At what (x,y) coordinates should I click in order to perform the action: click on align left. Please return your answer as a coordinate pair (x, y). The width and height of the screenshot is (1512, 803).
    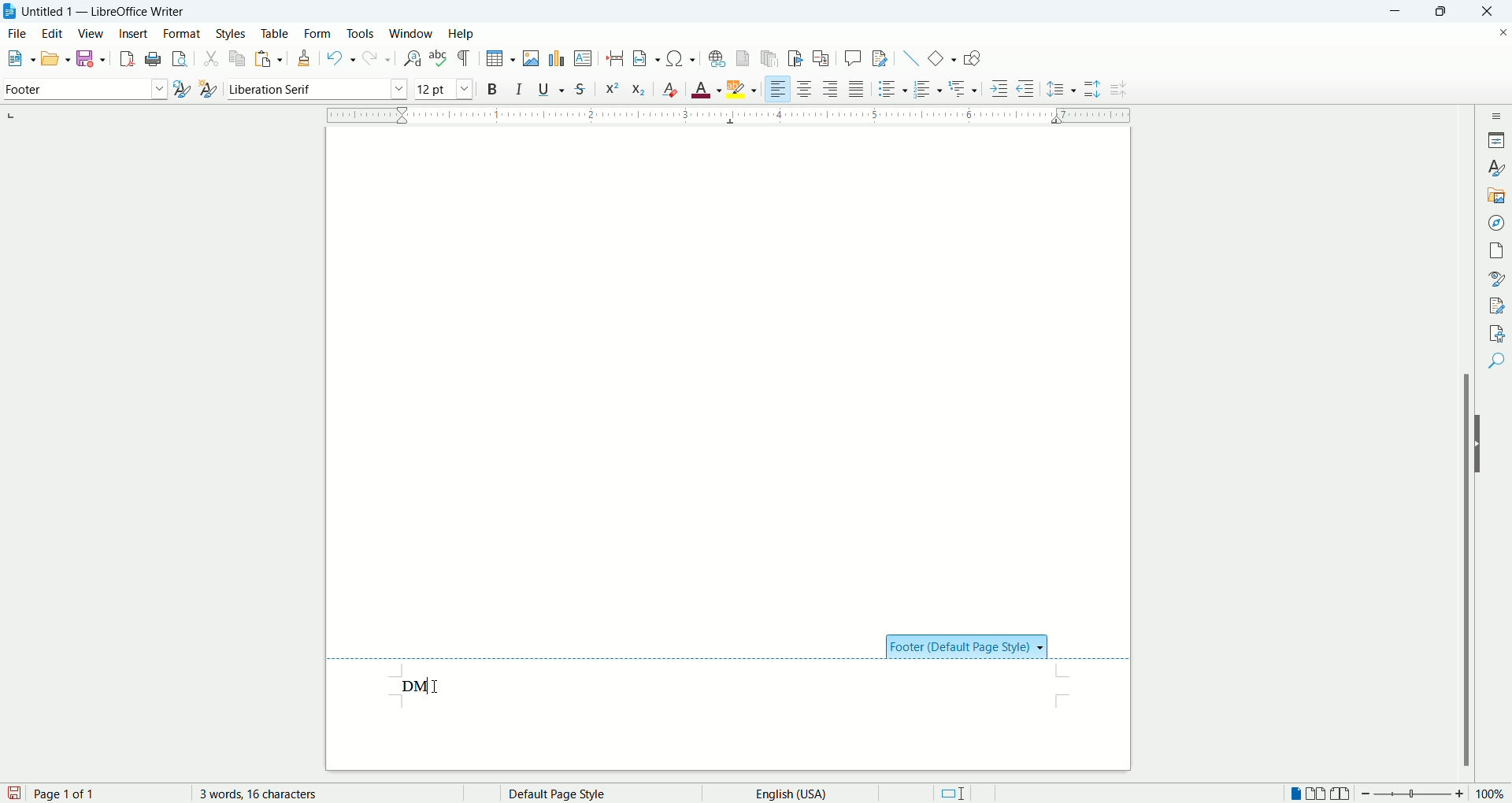
    Looking at the image, I should click on (779, 90).